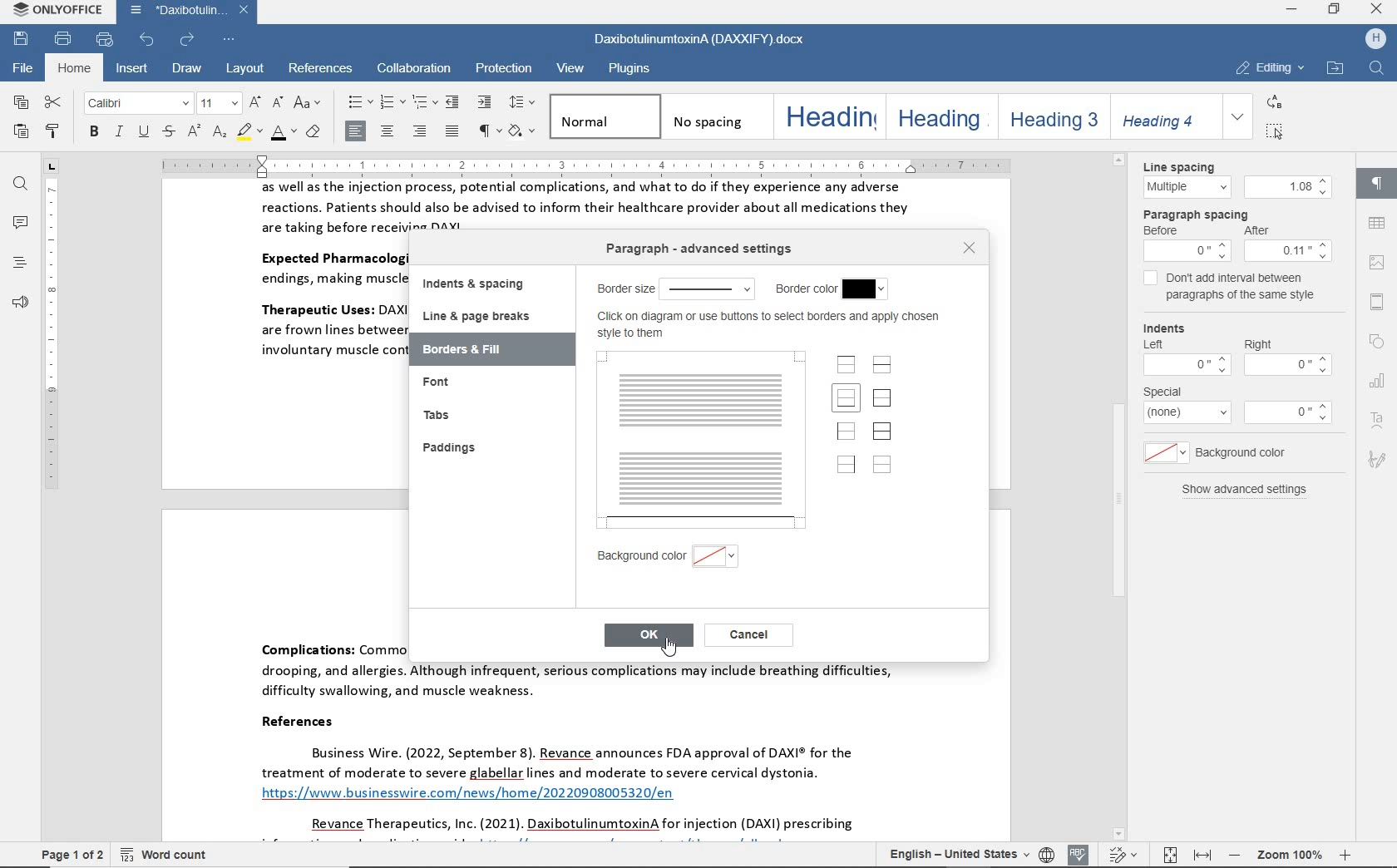  I want to click on justified, so click(453, 132).